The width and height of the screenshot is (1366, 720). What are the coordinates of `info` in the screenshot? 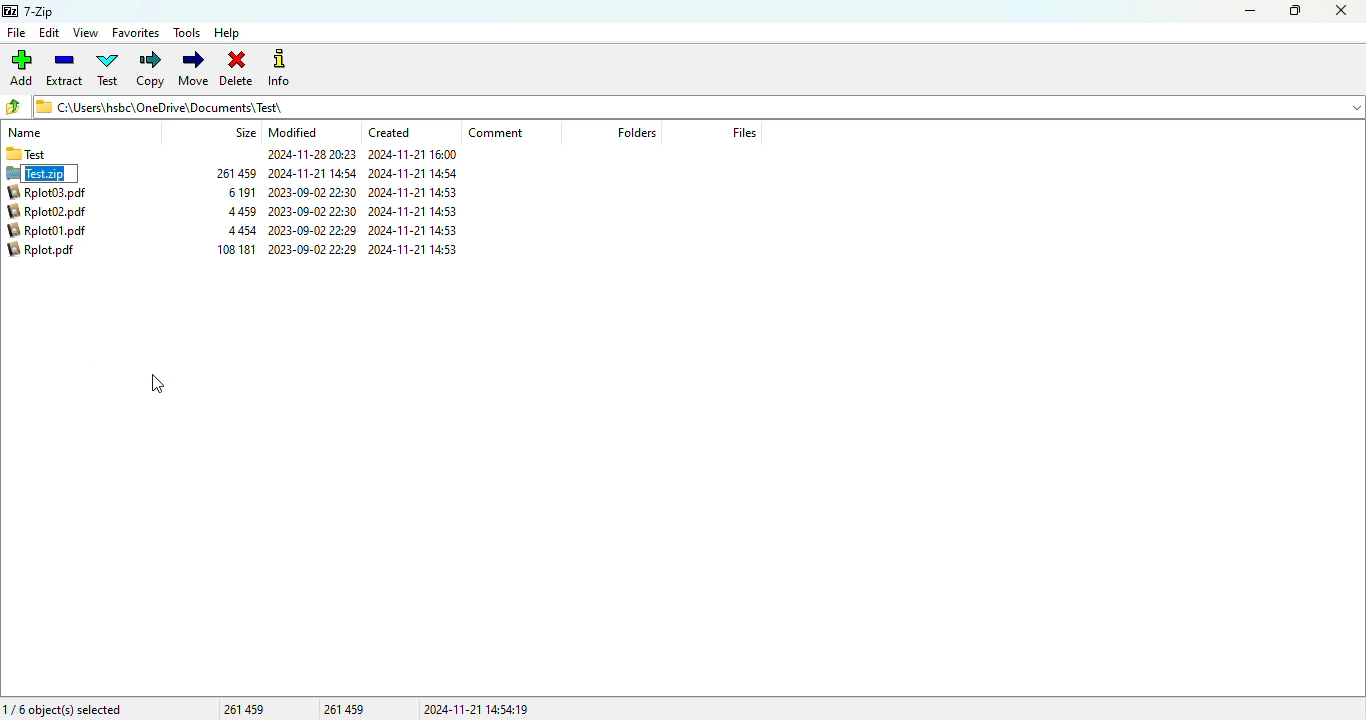 It's located at (279, 69).